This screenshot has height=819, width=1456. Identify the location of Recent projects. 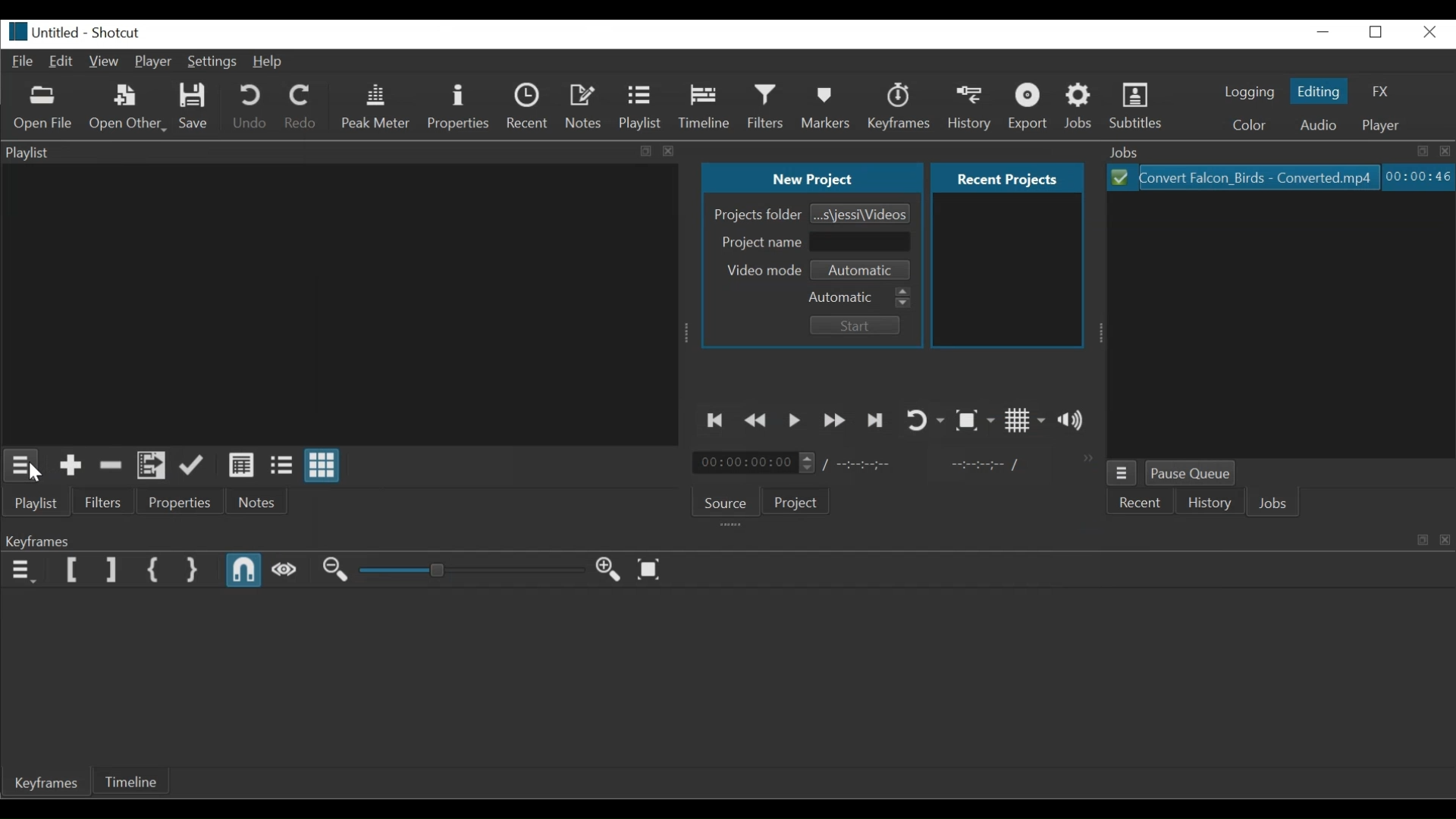
(1007, 273).